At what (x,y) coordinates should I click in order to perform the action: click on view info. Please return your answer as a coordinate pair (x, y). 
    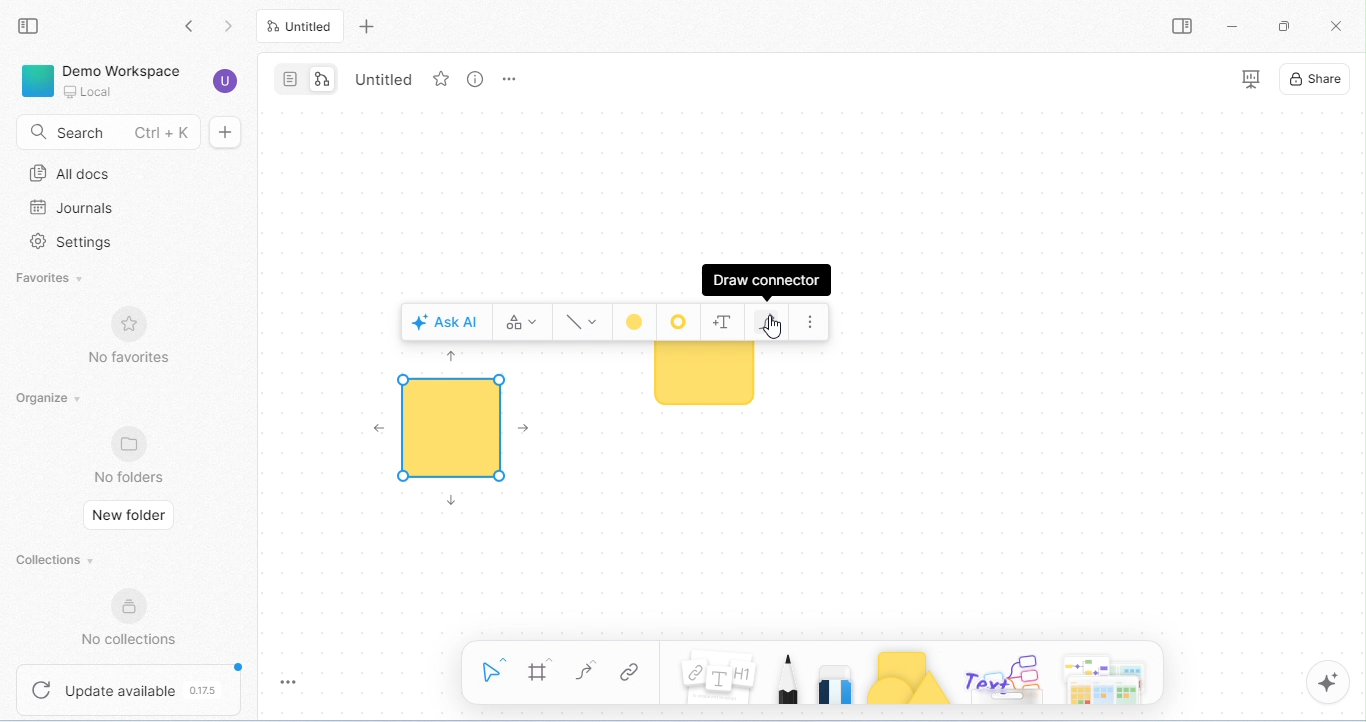
    Looking at the image, I should click on (476, 79).